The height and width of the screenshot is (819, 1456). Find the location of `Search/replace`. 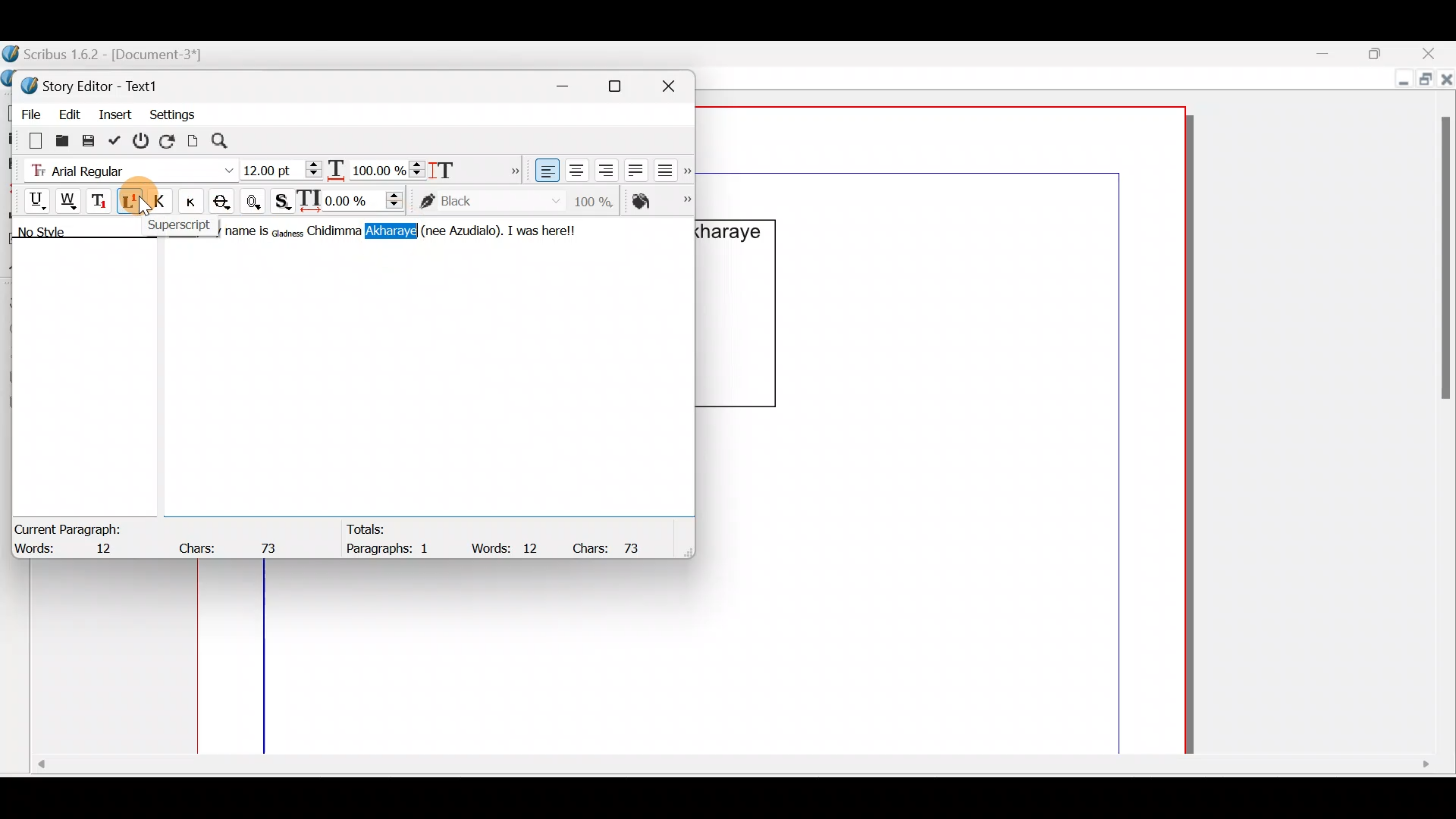

Search/replace is located at coordinates (228, 141).